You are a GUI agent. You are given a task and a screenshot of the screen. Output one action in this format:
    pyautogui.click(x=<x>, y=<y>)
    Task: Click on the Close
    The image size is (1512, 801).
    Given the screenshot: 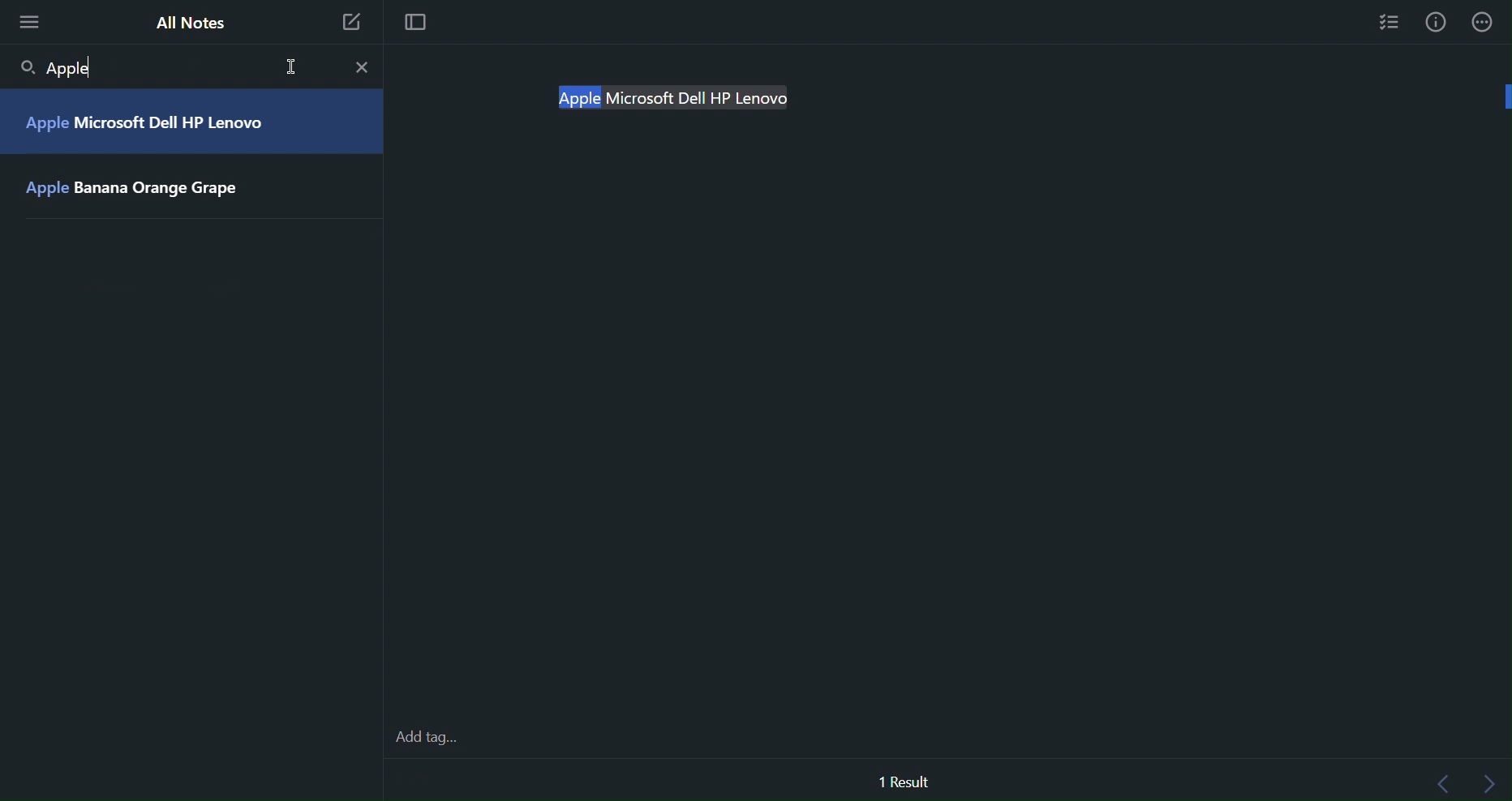 What is the action you would take?
    pyautogui.click(x=360, y=71)
    